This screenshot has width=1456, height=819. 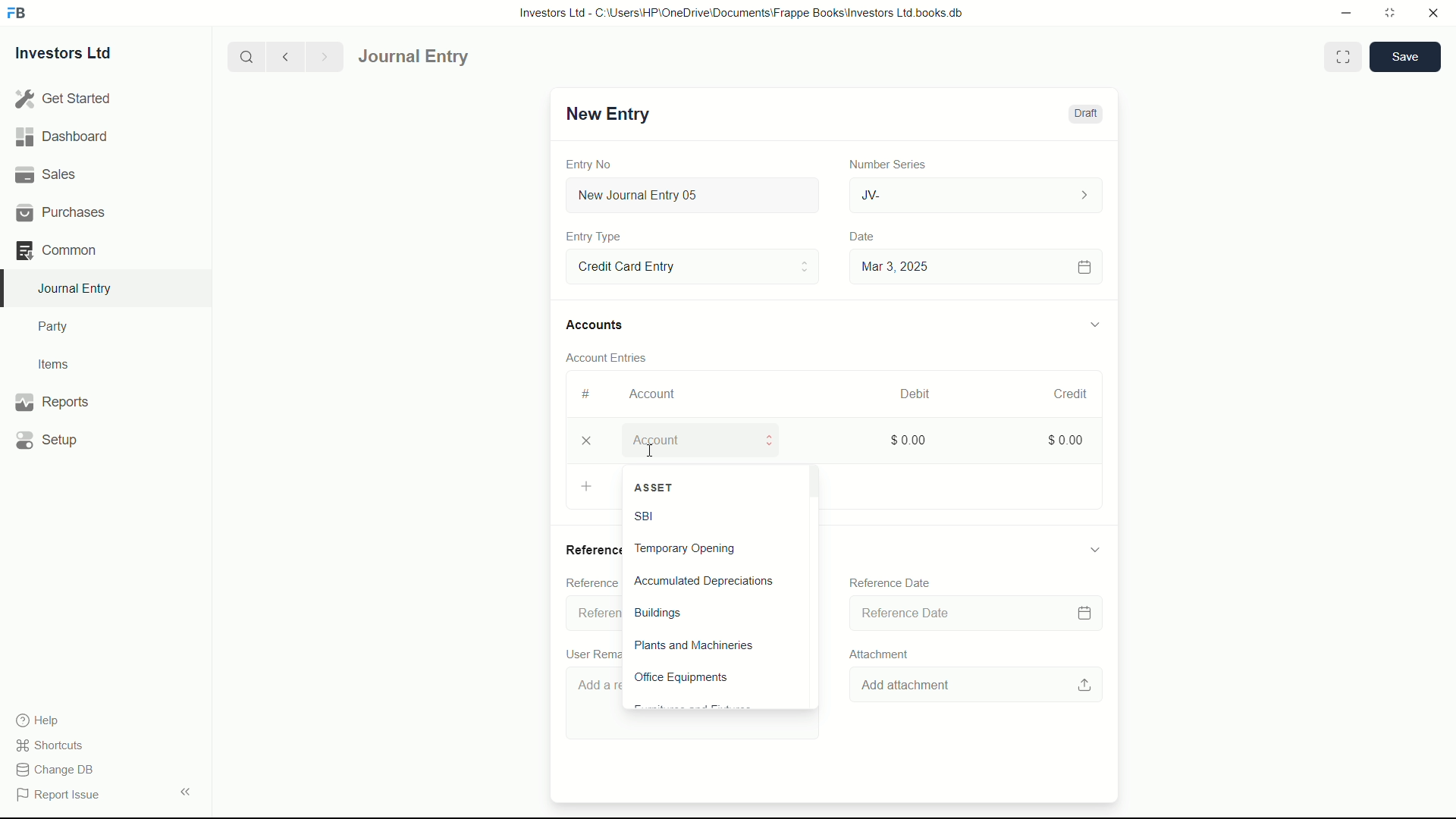 What do you see at coordinates (1342, 11) in the screenshot?
I see `minimize` at bounding box center [1342, 11].